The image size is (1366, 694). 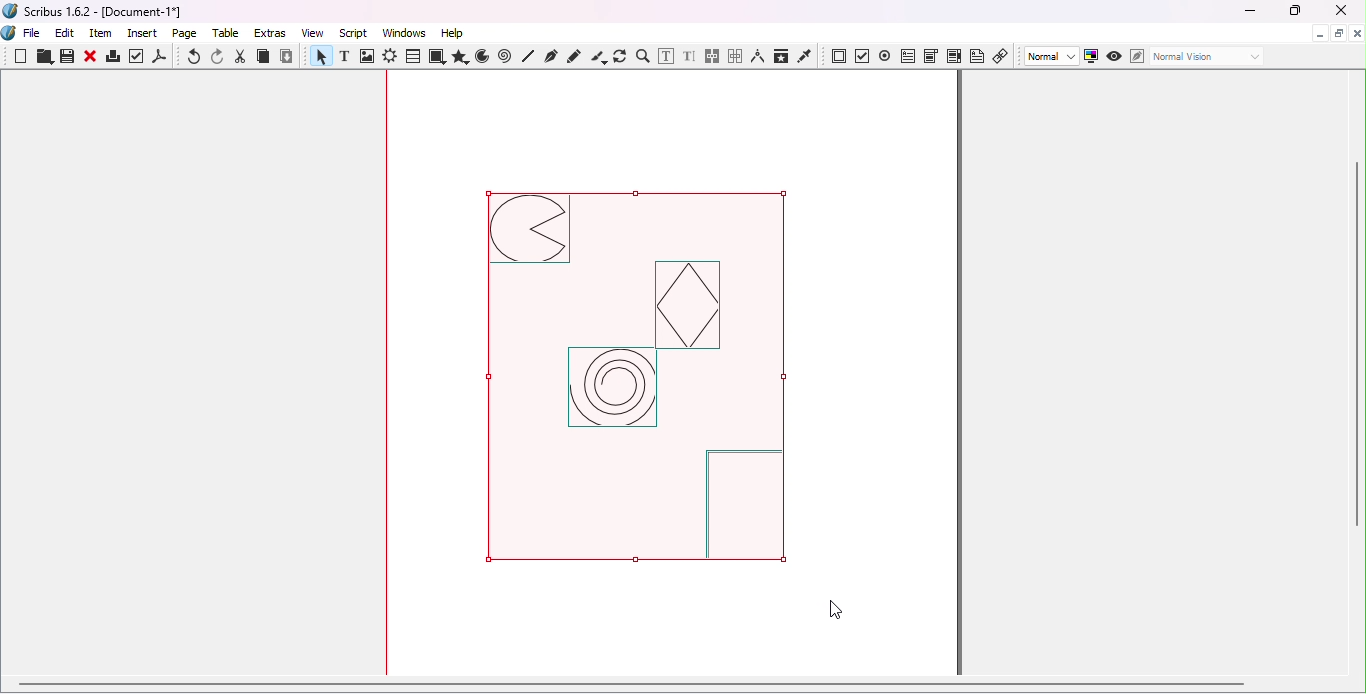 I want to click on PDF radio button, so click(x=885, y=55).